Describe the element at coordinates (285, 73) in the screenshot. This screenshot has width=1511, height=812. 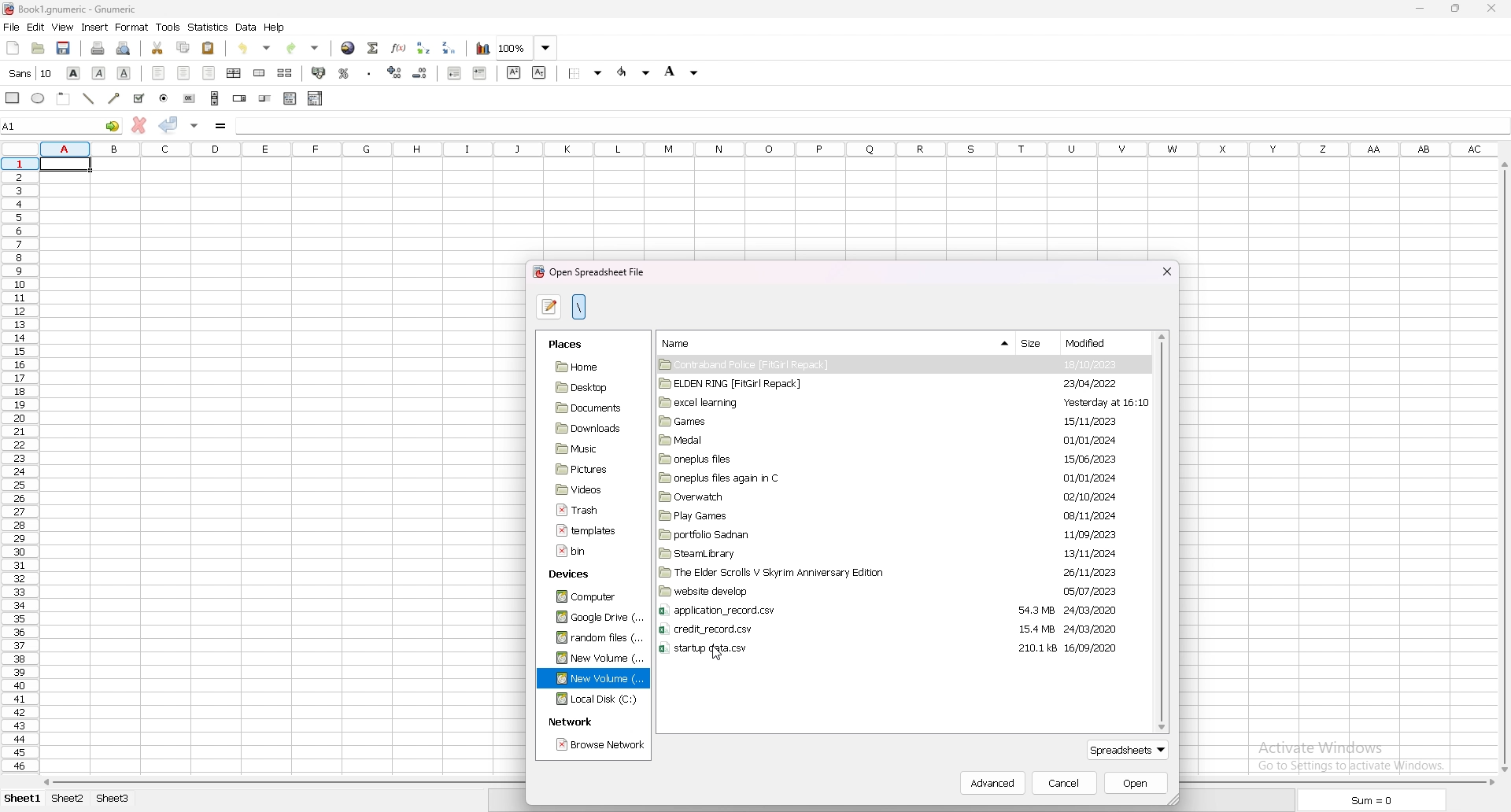
I see `split merged cell` at that location.